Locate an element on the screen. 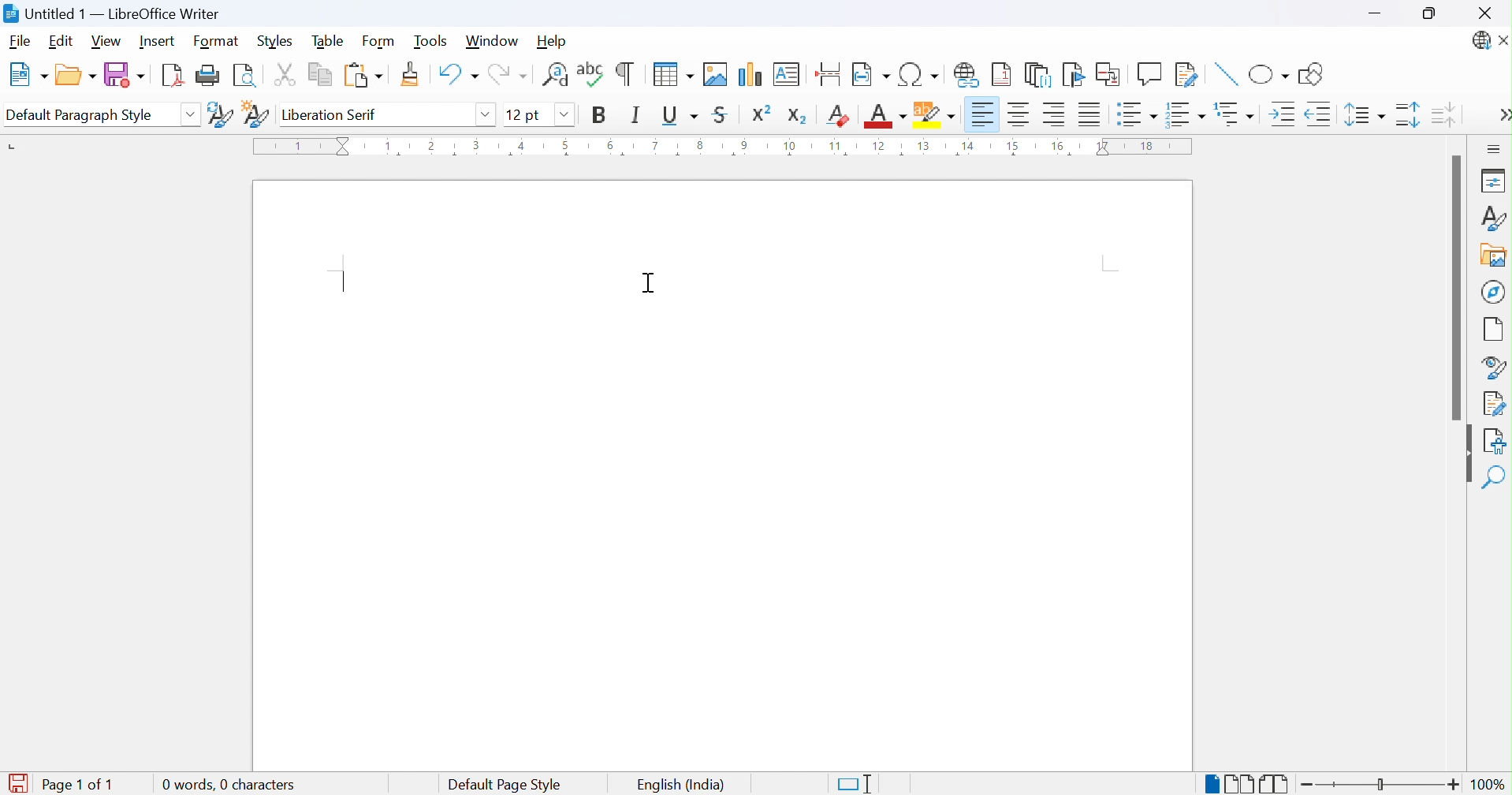  Insert image is located at coordinates (717, 73).